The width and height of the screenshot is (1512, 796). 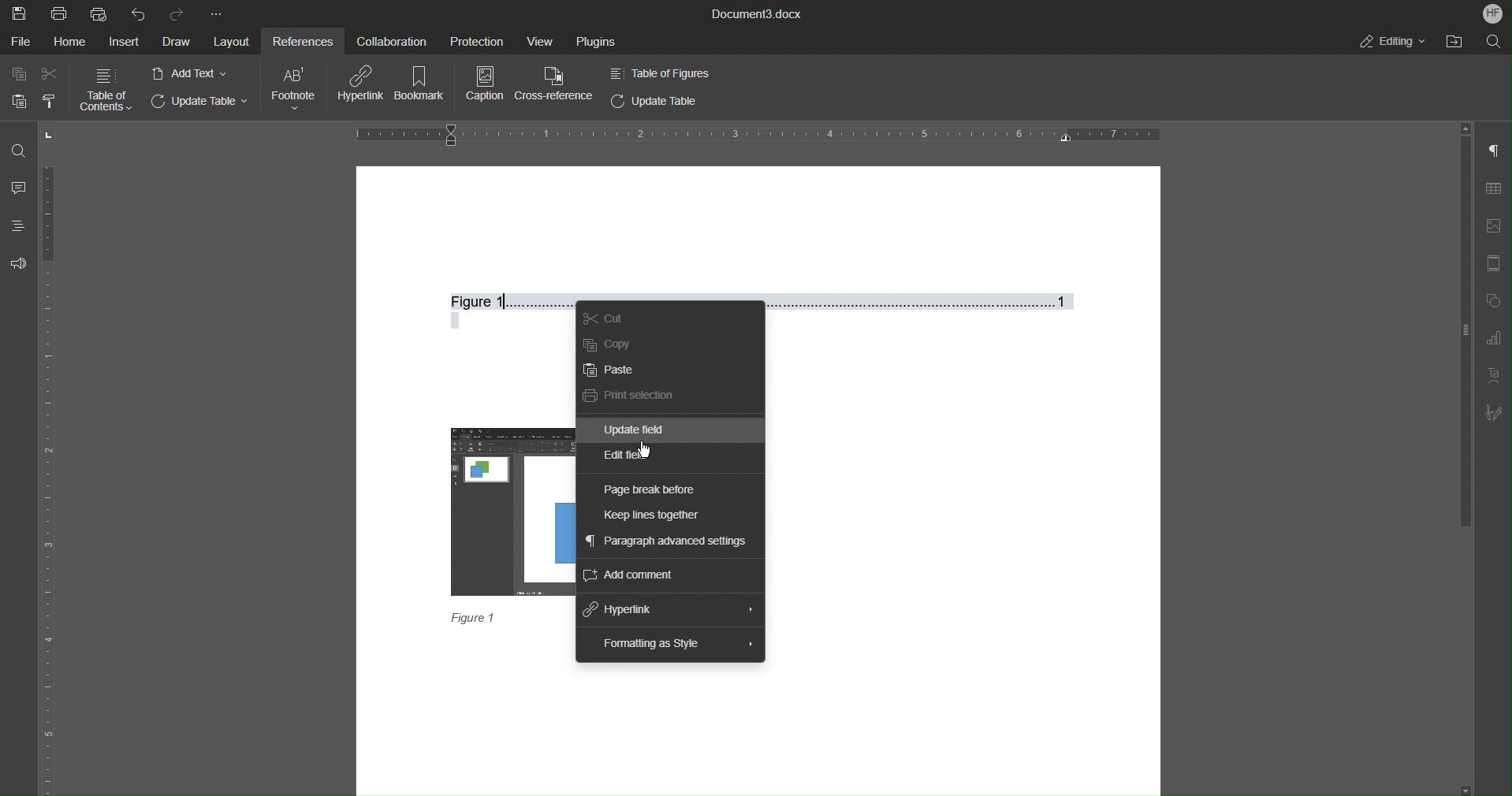 I want to click on Editing, so click(x=1392, y=42).